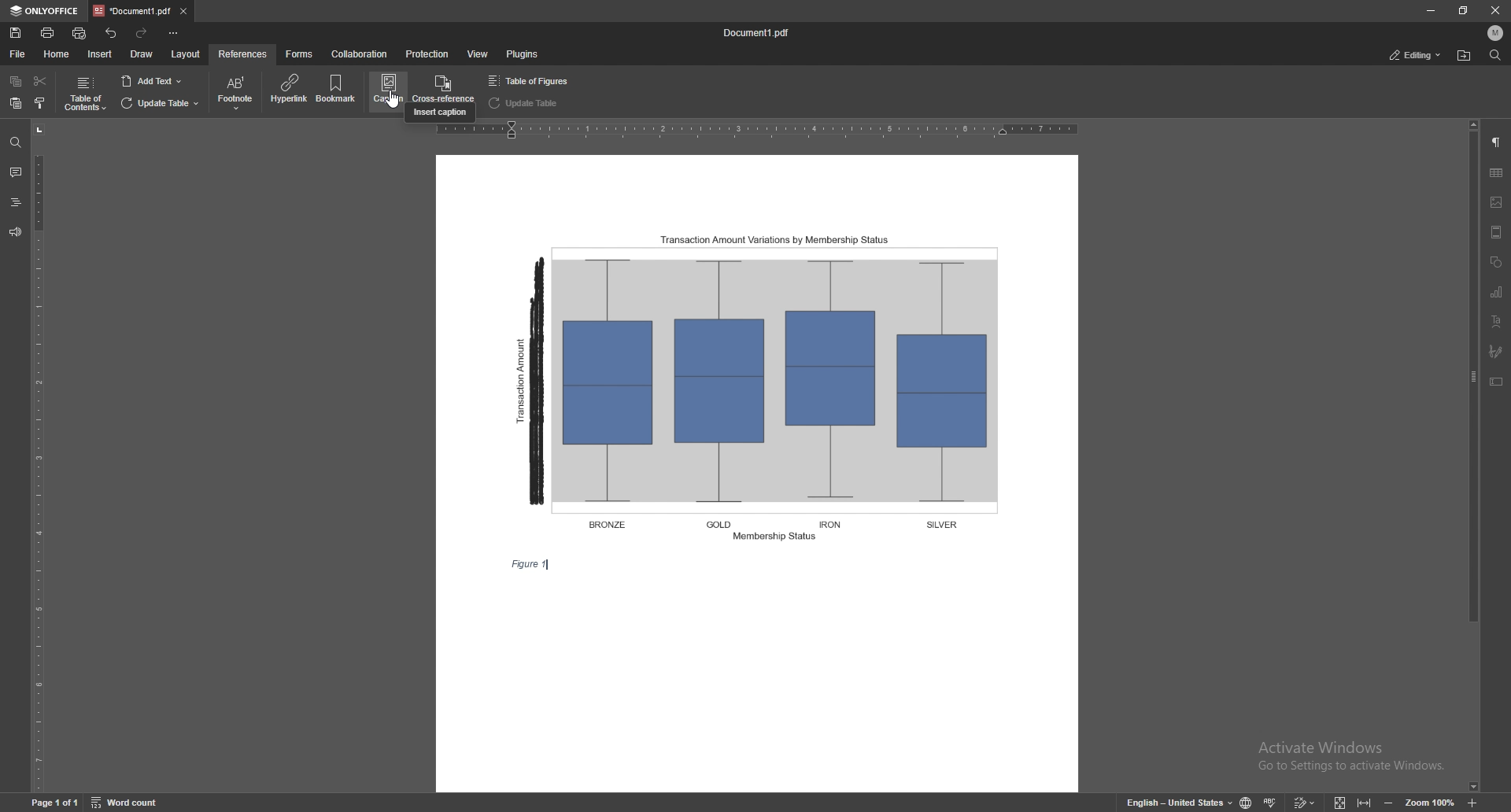  I want to click on find, so click(1494, 55).